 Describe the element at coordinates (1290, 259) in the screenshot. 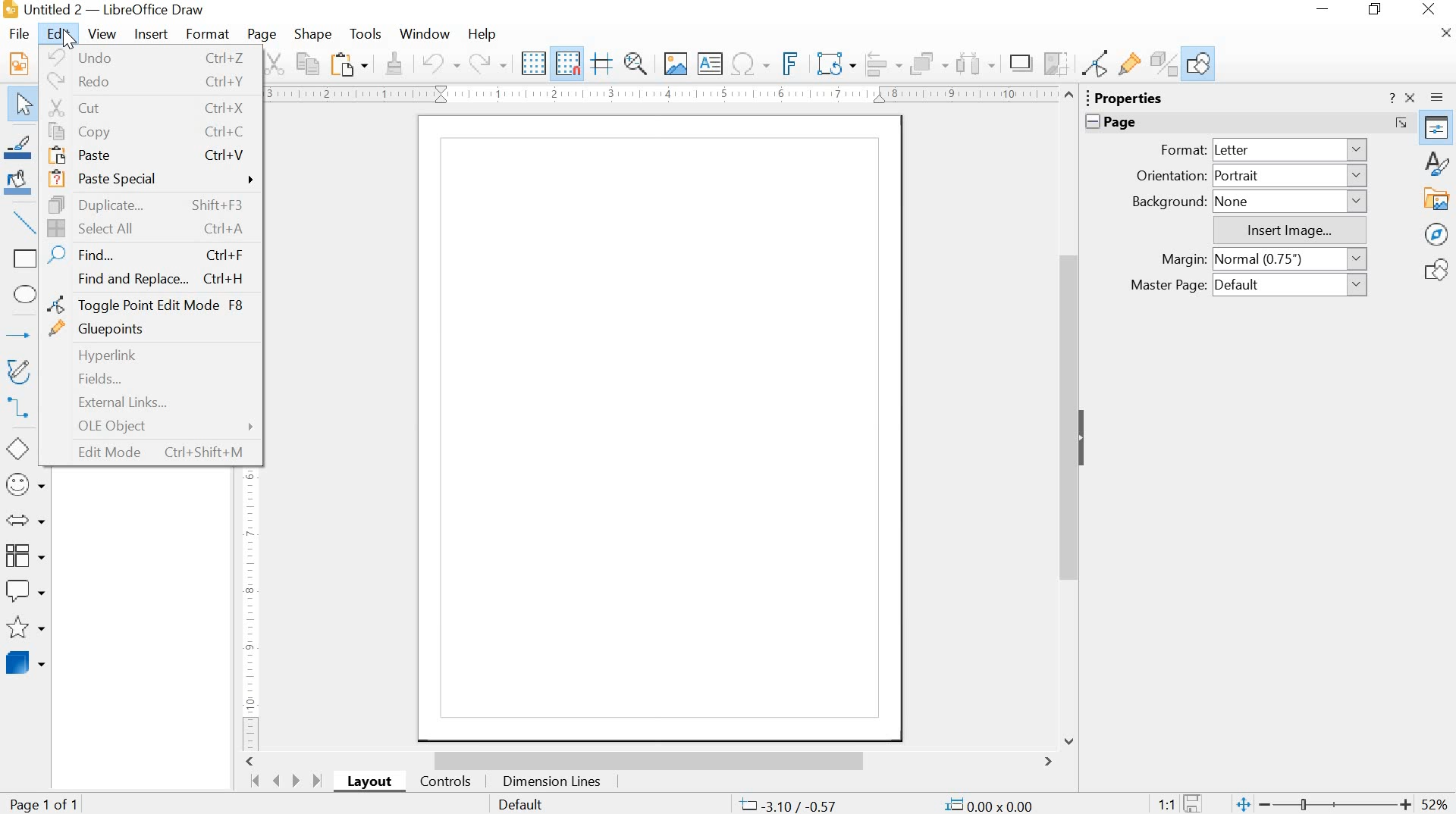

I see `Normal (0.75")` at that location.